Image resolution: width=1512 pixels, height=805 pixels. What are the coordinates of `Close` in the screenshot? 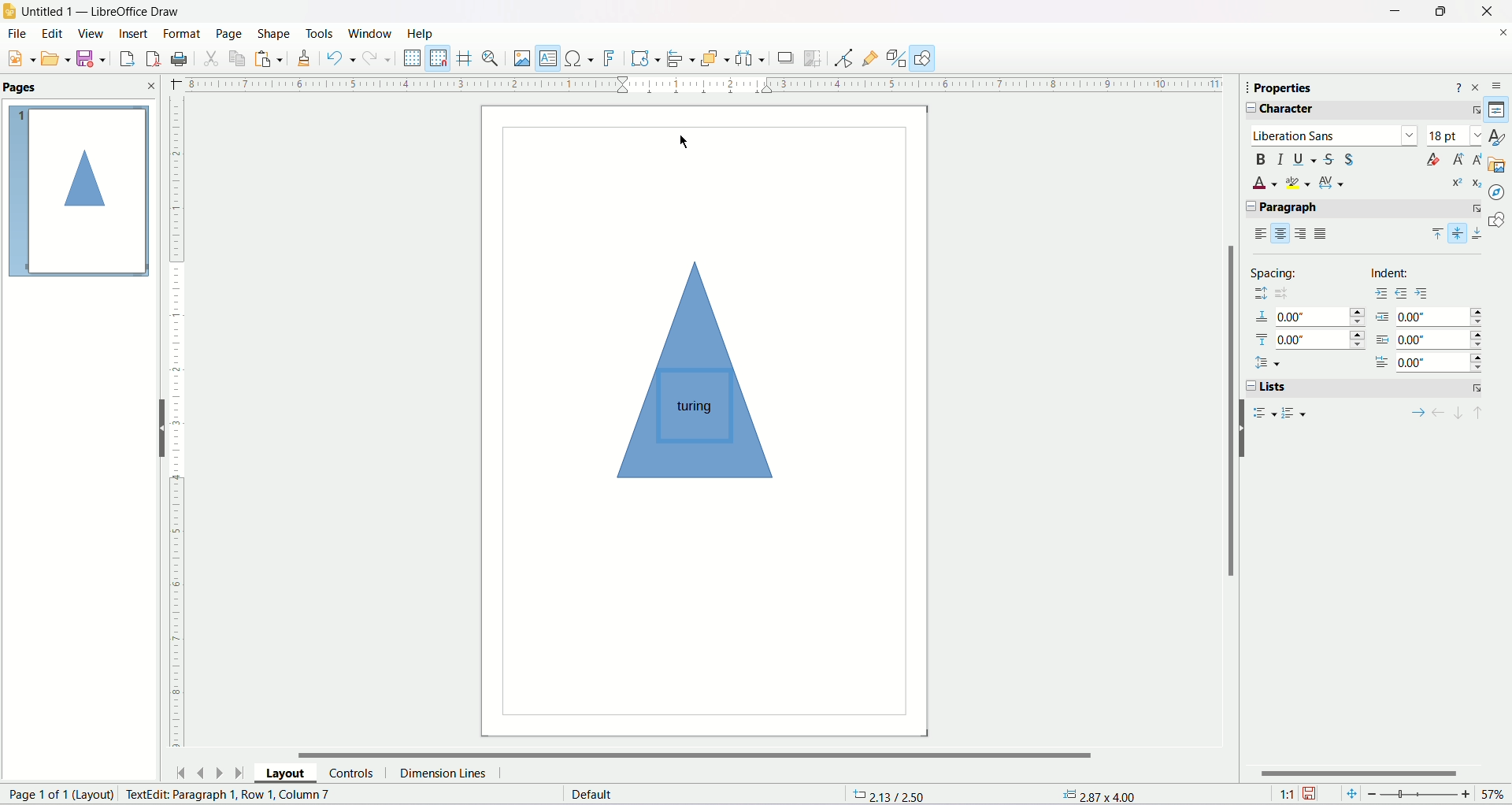 It's located at (147, 86).